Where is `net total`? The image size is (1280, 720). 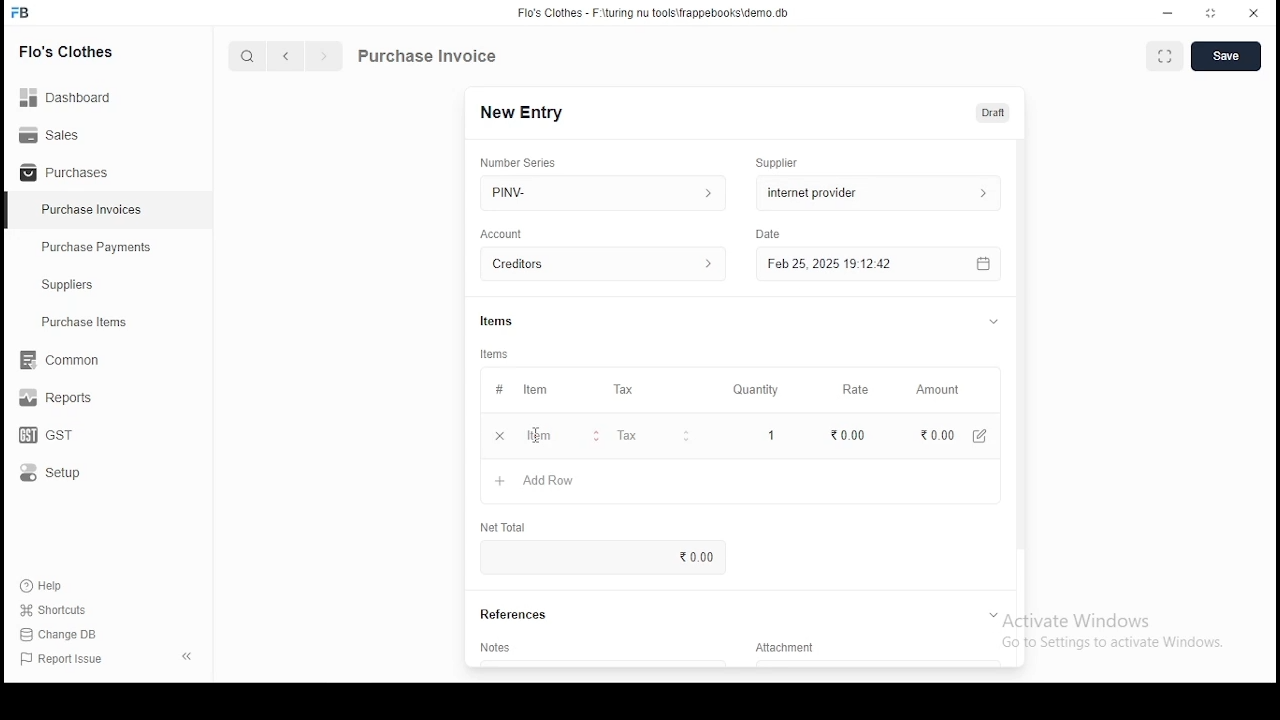 net total is located at coordinates (505, 527).